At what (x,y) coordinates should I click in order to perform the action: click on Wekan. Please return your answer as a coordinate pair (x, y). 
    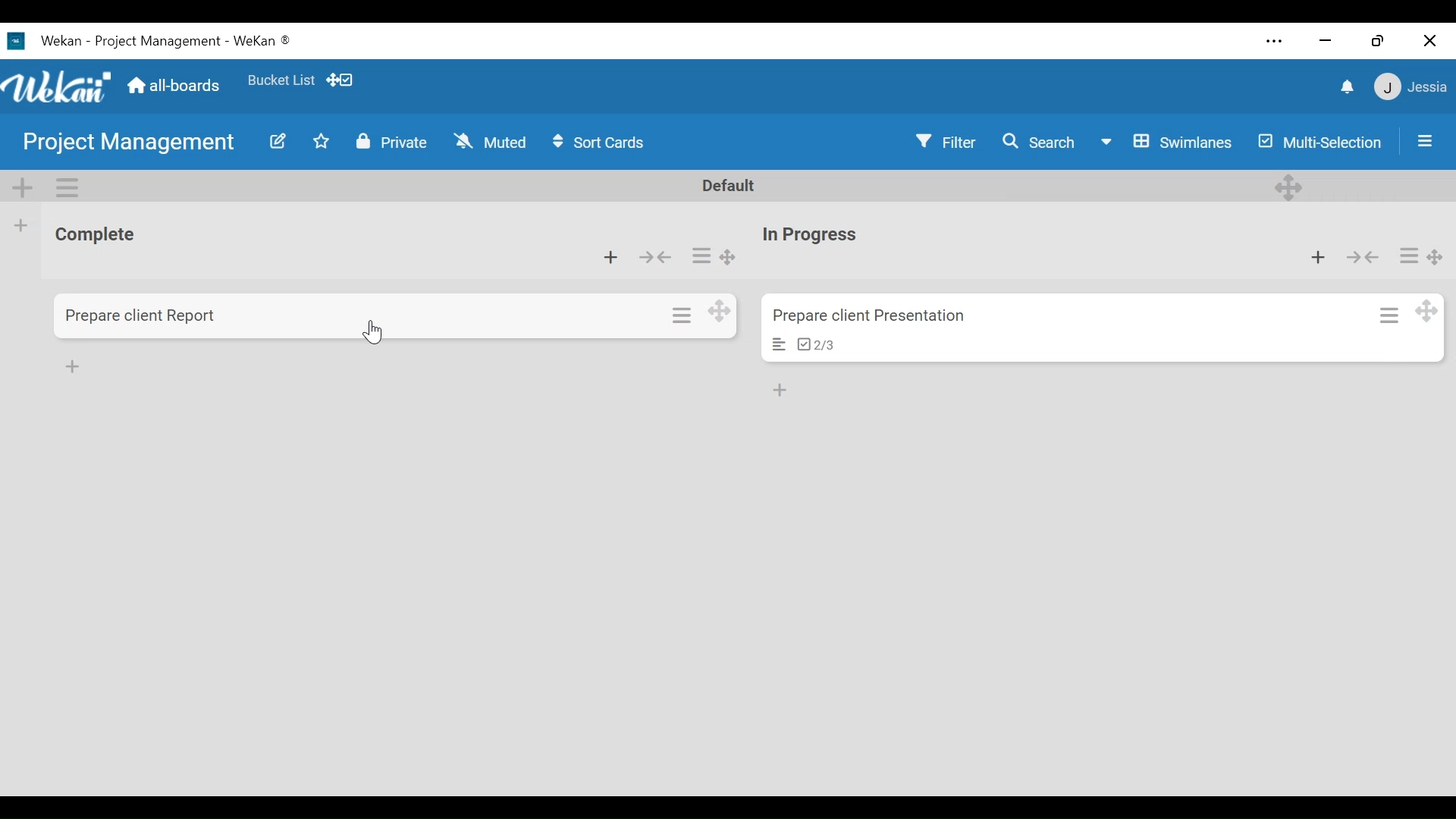
    Looking at the image, I should click on (48, 42).